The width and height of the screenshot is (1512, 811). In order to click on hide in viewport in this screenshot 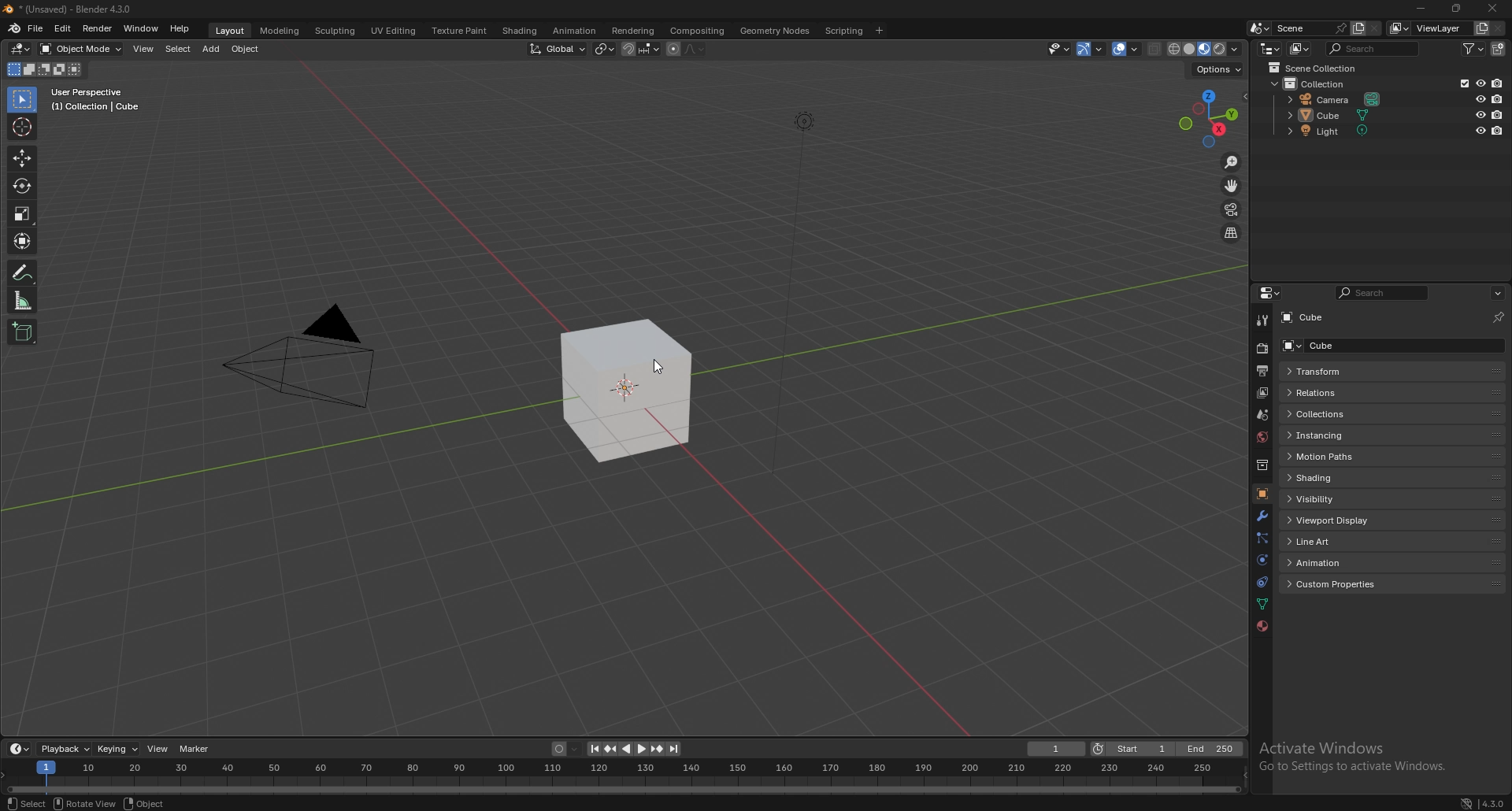, I will do `click(1478, 131)`.